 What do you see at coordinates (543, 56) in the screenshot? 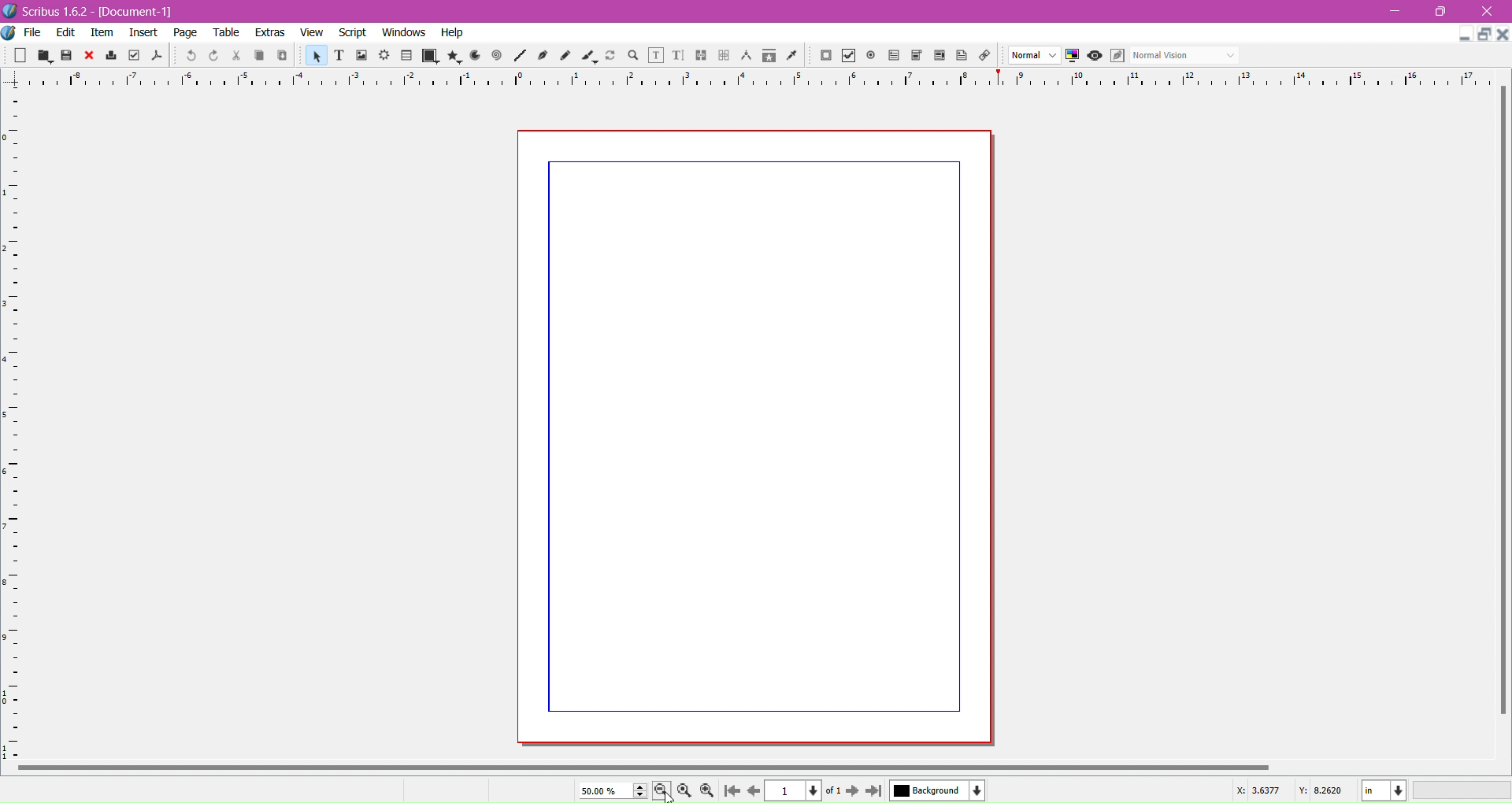
I see `Bezier Curve` at bounding box center [543, 56].